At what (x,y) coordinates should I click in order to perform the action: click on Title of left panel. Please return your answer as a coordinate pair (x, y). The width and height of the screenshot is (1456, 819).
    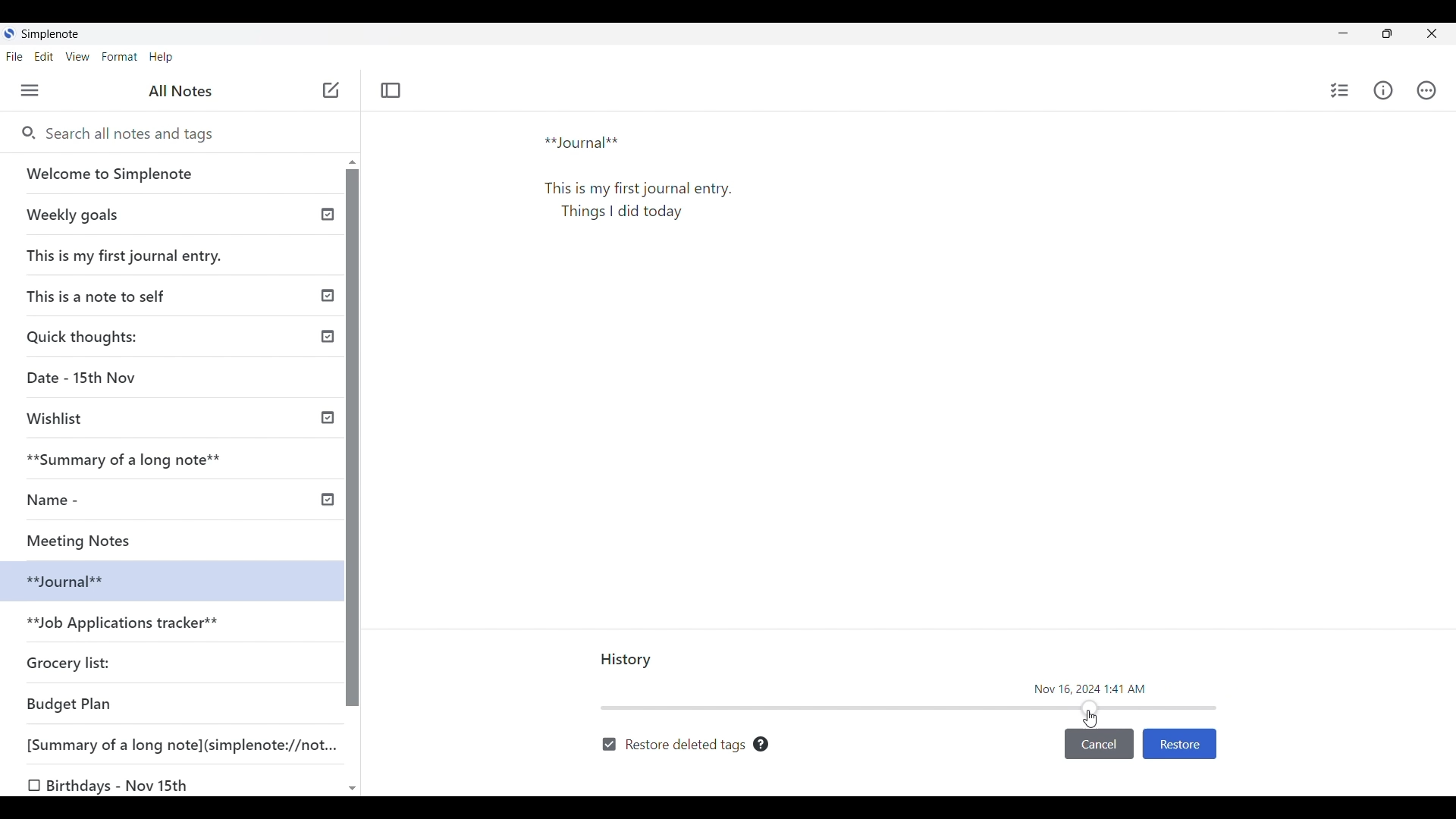
    Looking at the image, I should click on (180, 91).